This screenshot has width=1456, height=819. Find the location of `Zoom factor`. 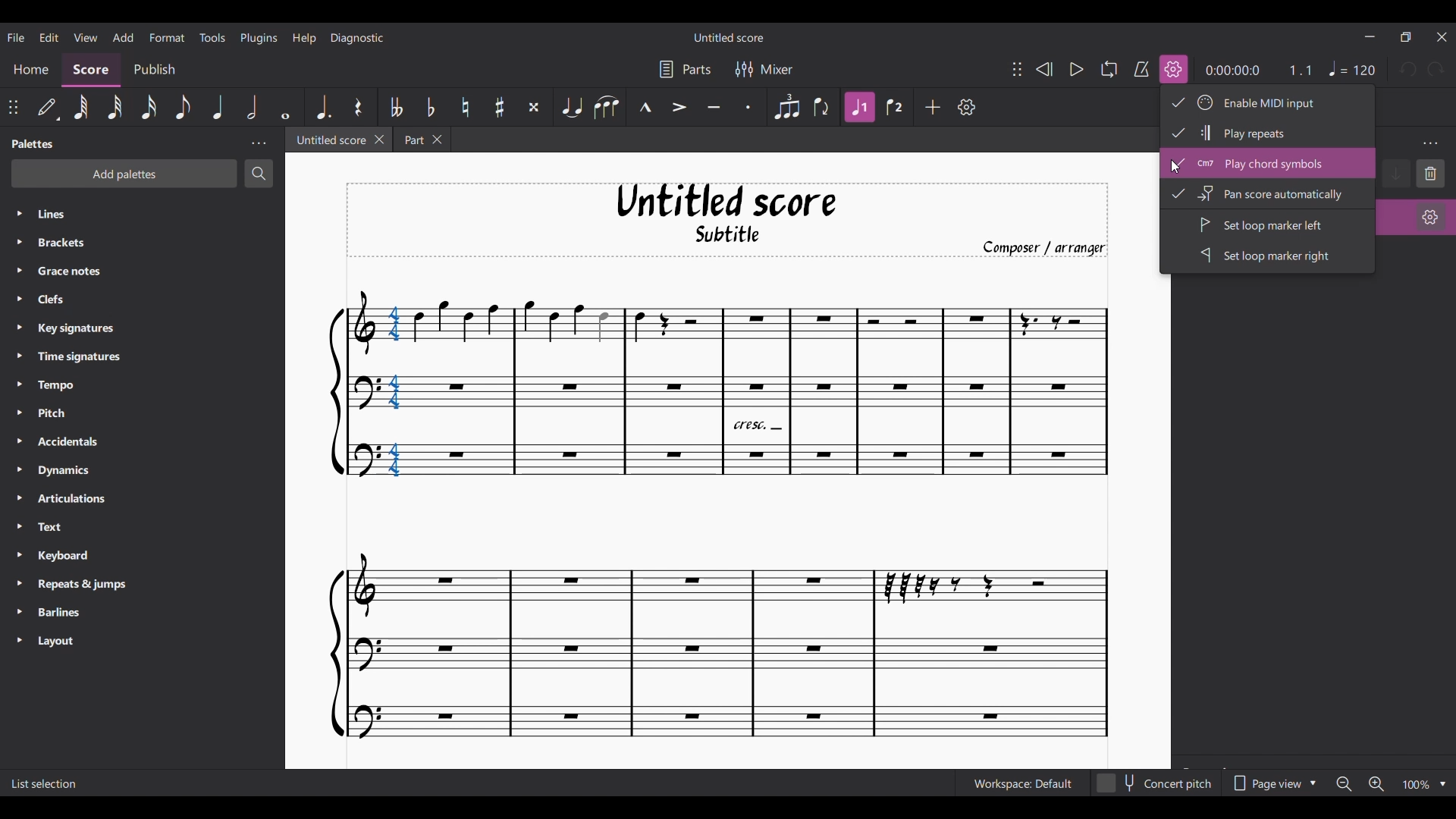

Zoom factor is located at coordinates (1416, 785).